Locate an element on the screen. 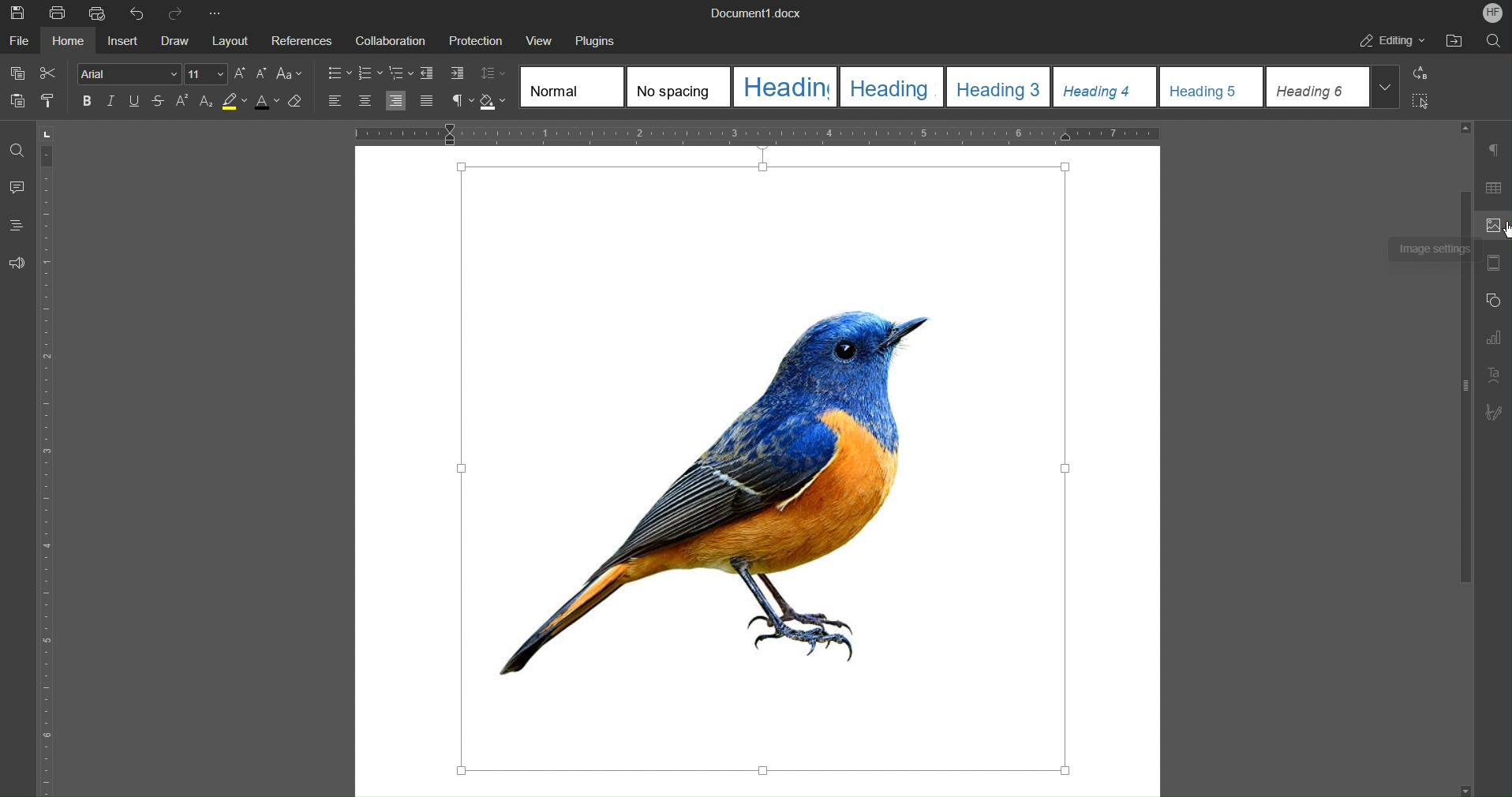 This screenshot has width=1512, height=797. Heading 4 is located at coordinates (1106, 85).